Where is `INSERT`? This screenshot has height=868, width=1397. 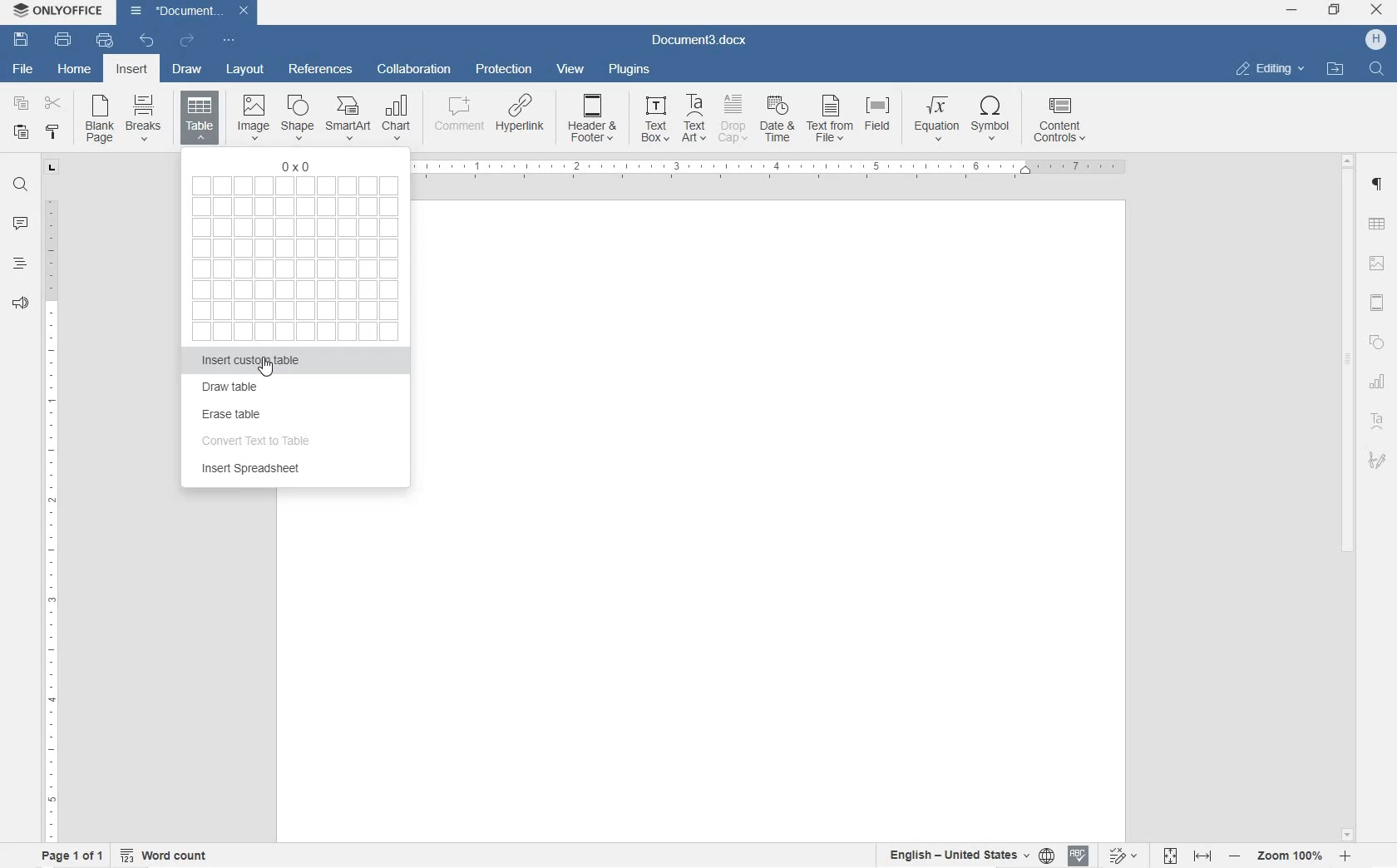 INSERT is located at coordinates (134, 72).